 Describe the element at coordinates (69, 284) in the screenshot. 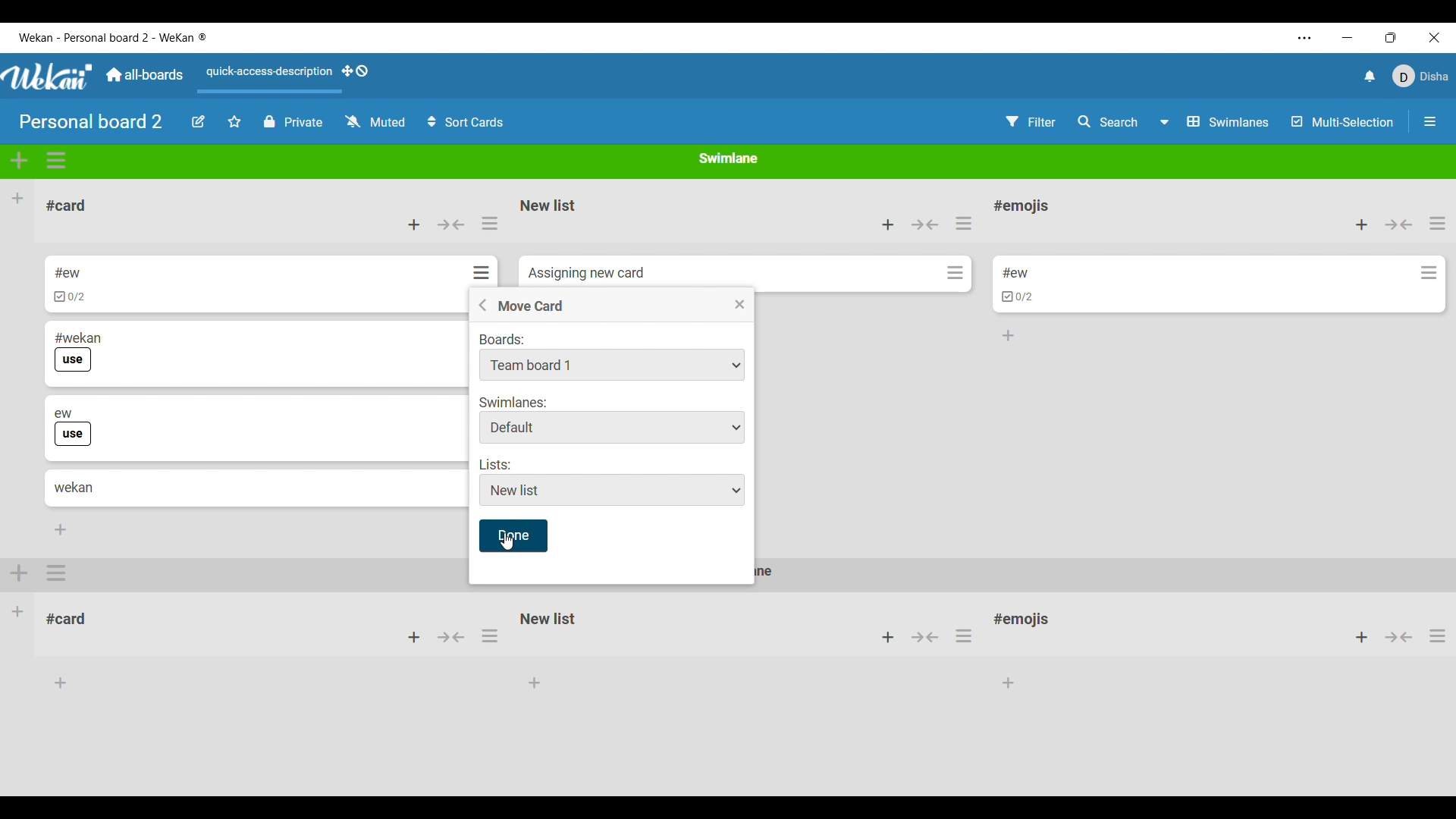

I see `Card title and checklist` at that location.